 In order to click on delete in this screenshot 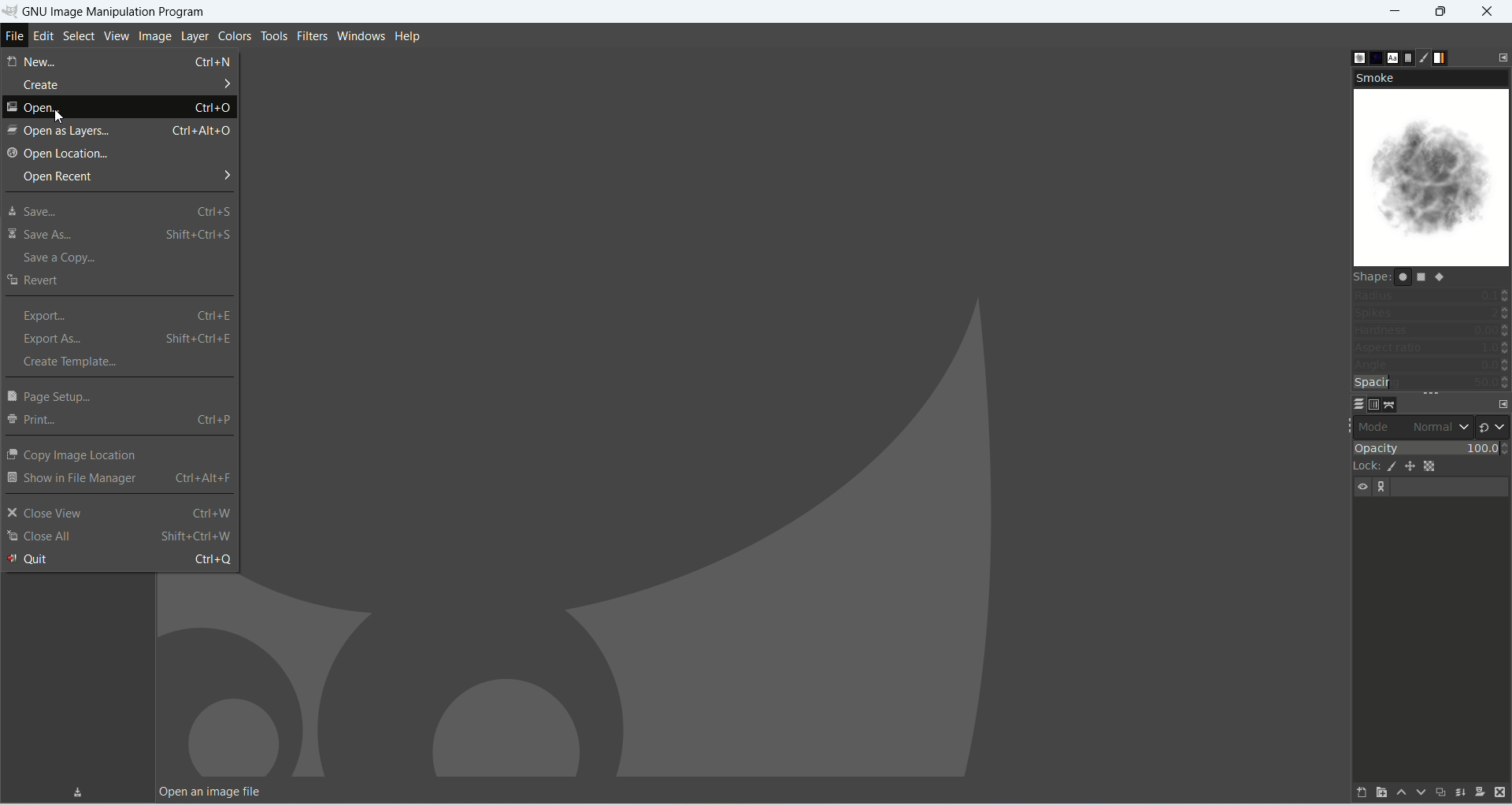, I will do `click(1499, 792)`.